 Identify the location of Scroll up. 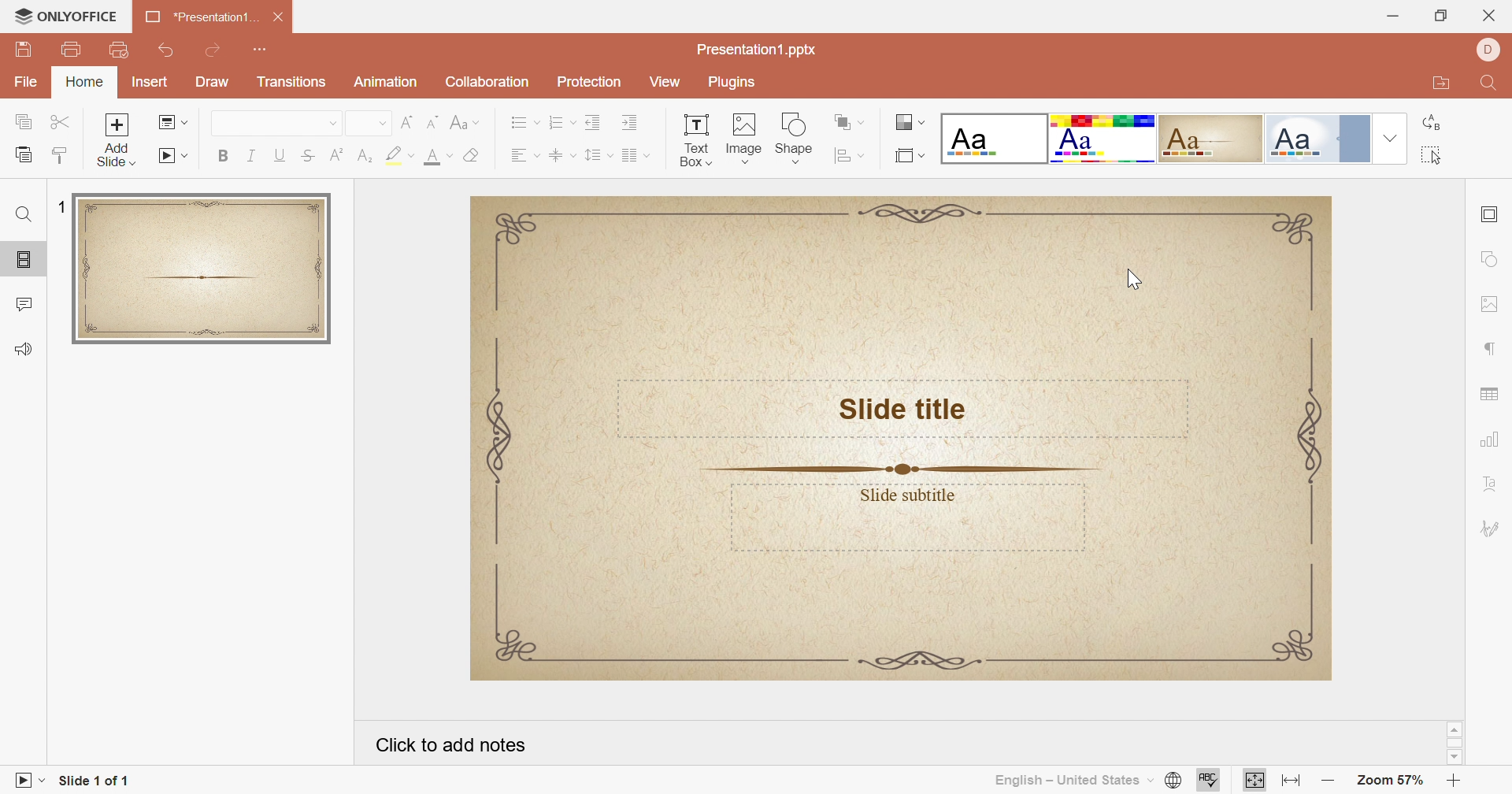
(1456, 726).